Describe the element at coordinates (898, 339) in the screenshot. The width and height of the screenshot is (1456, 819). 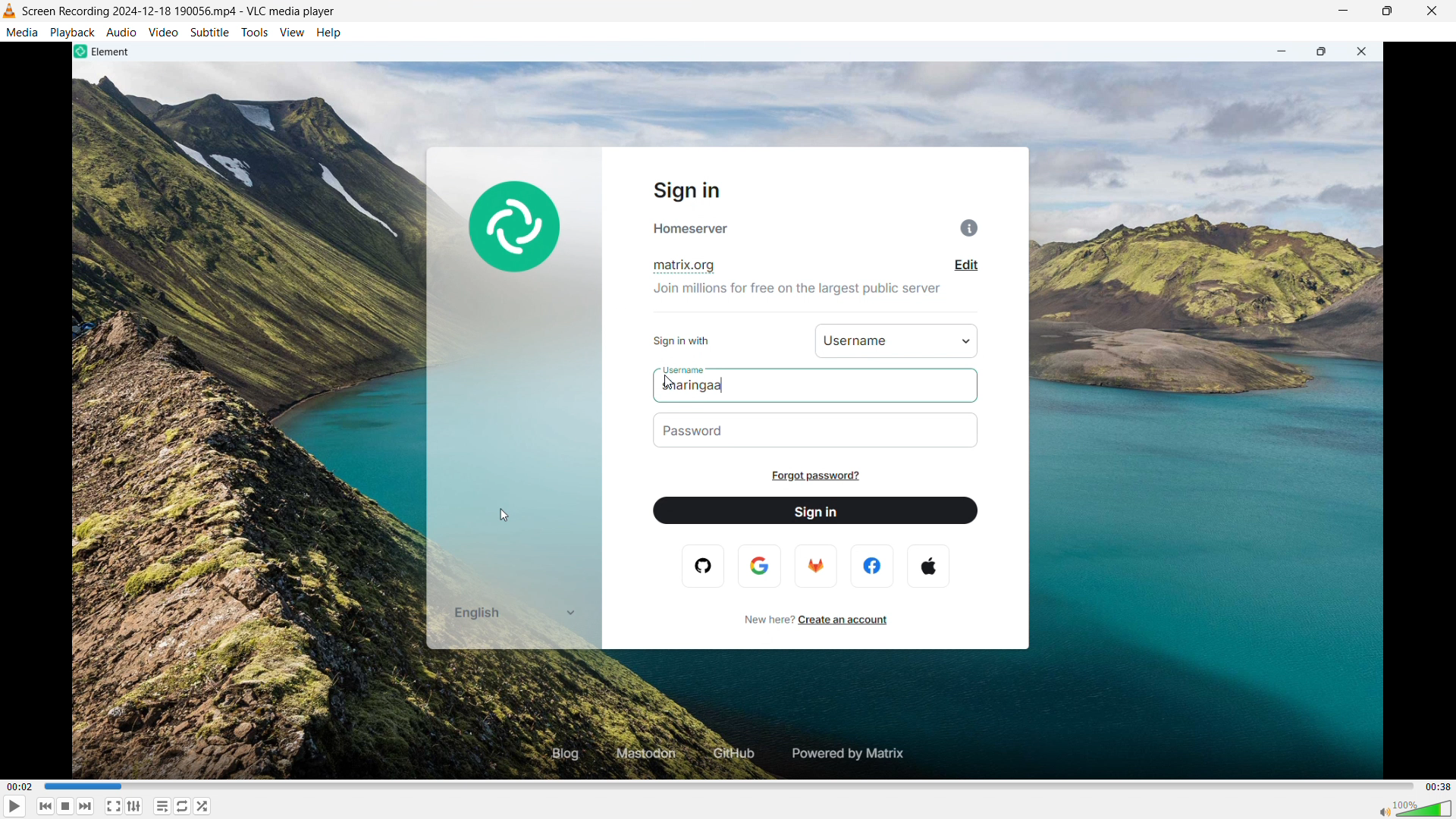
I see `username` at that location.